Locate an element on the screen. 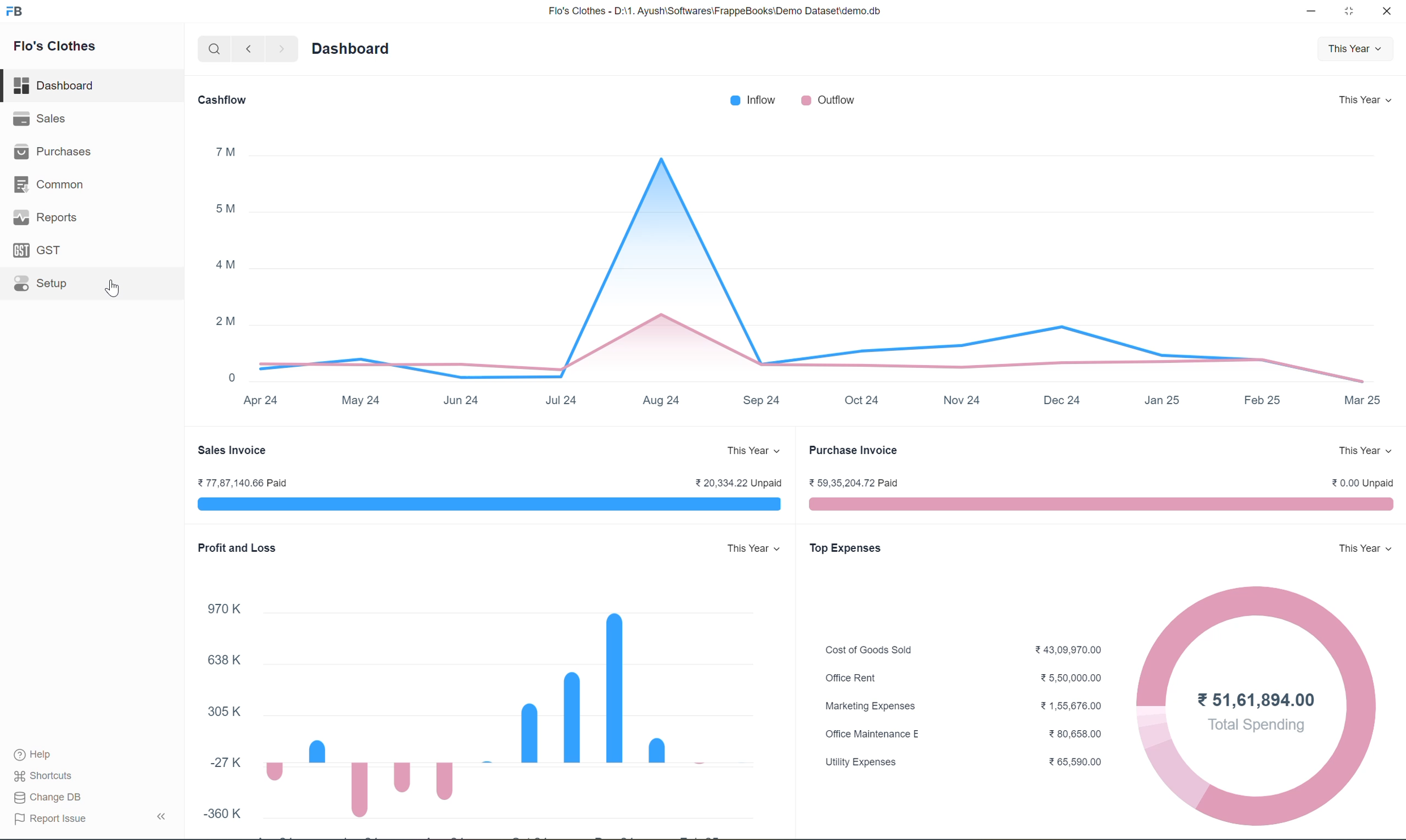  Aug 24 is located at coordinates (661, 400).